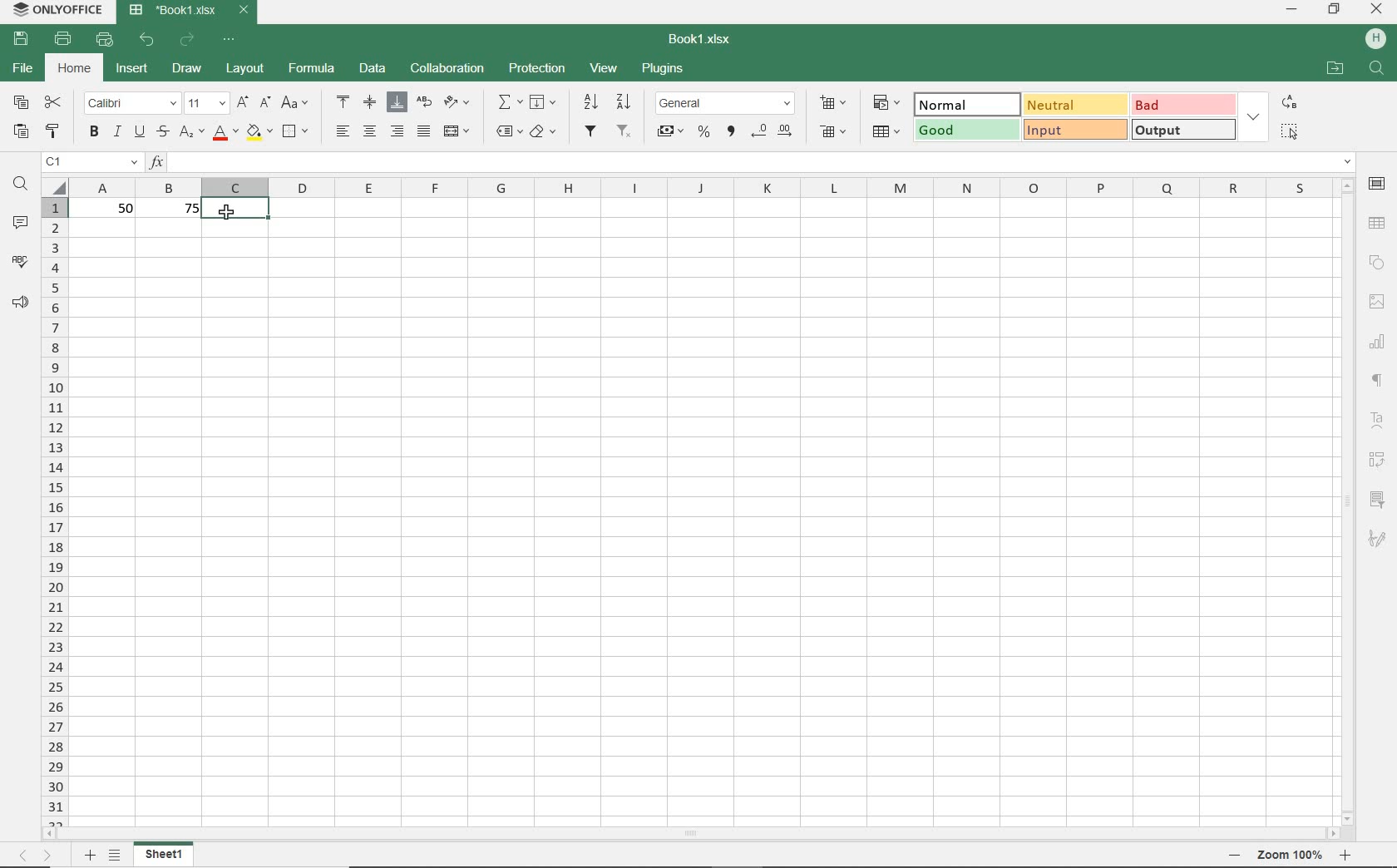  I want to click on system name, so click(55, 11).